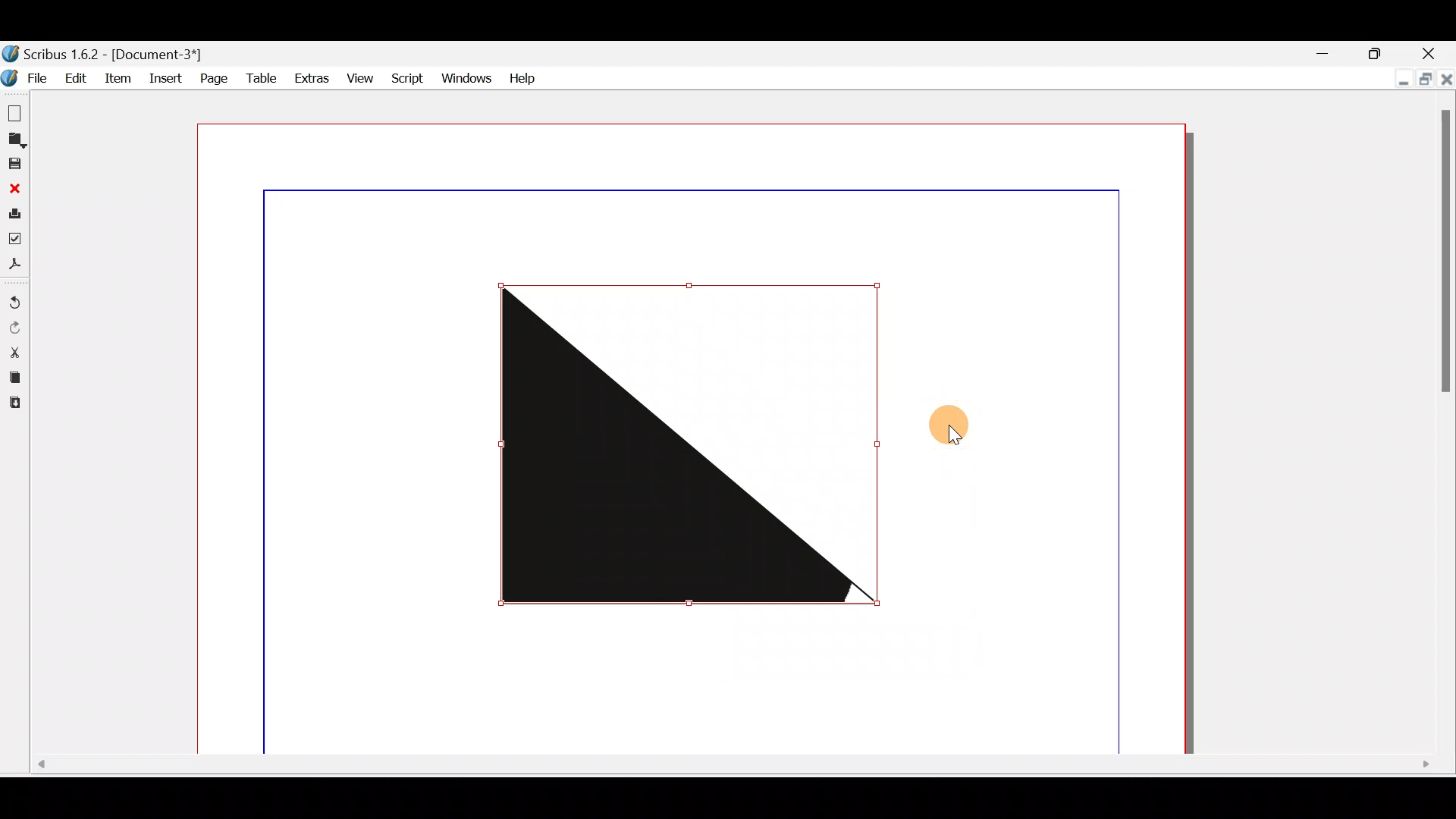 This screenshot has height=819, width=1456. I want to click on Item, so click(118, 81).